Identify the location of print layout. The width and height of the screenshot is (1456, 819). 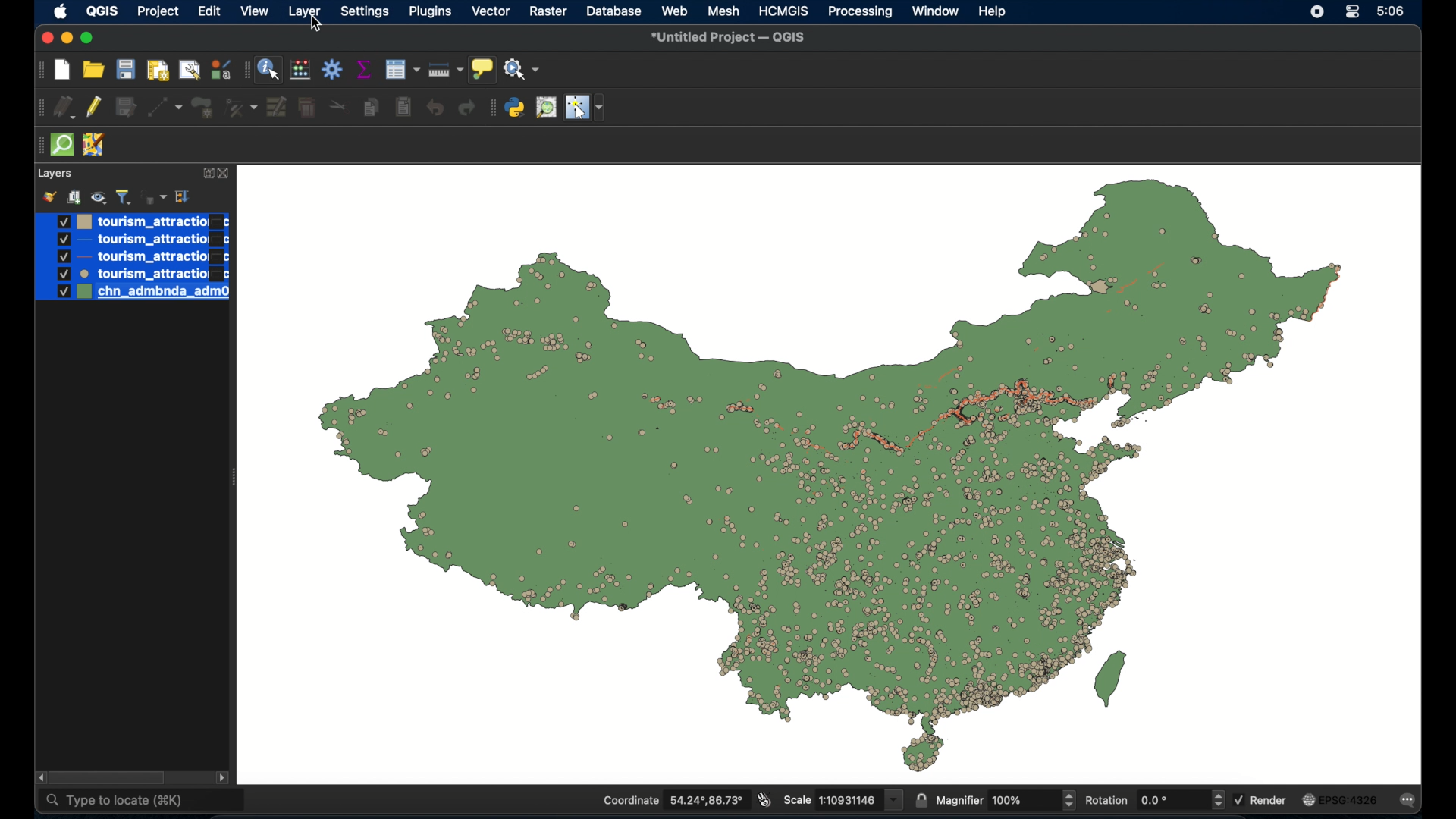
(158, 69).